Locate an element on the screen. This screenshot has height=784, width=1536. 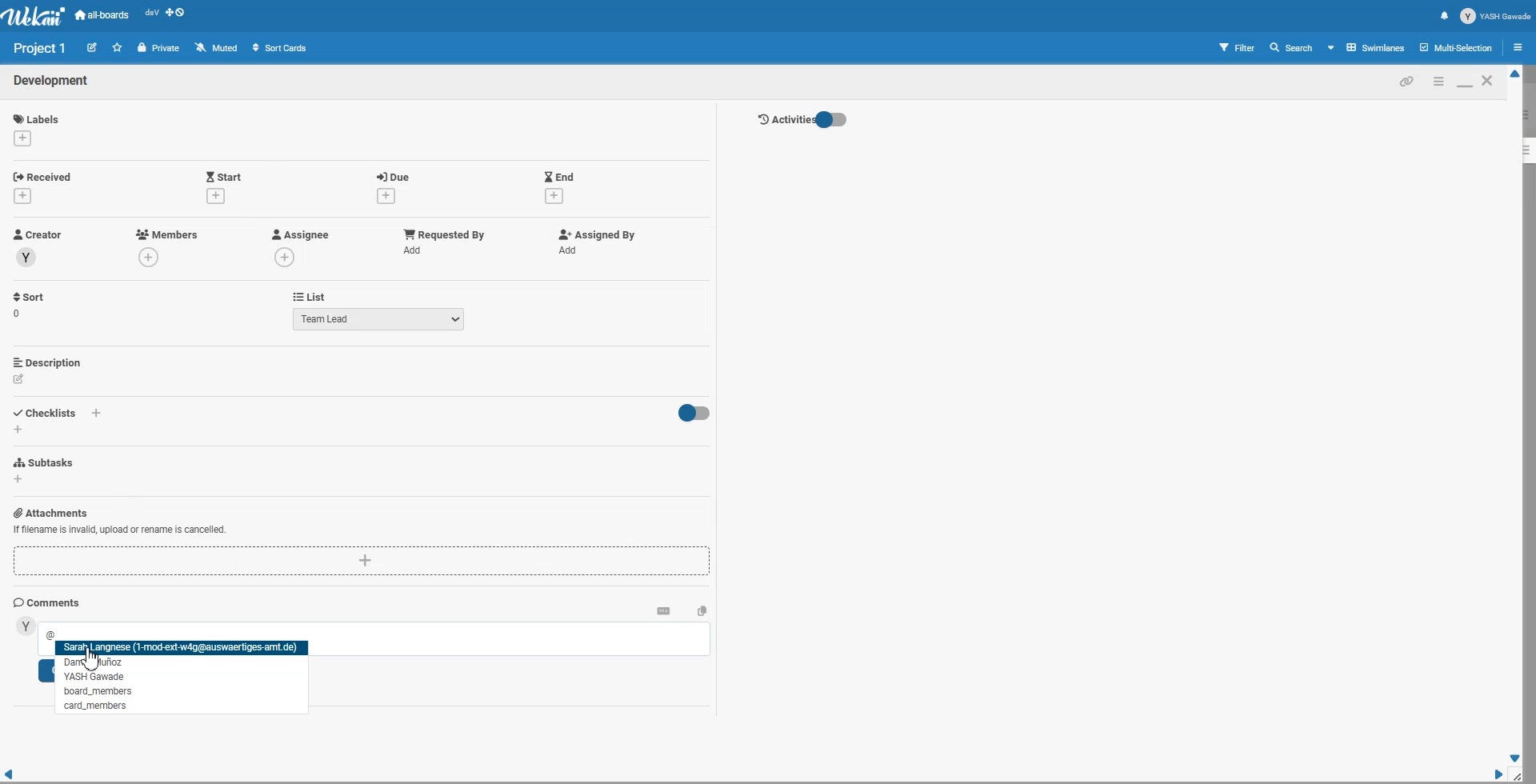
@ is located at coordinates (49, 634).